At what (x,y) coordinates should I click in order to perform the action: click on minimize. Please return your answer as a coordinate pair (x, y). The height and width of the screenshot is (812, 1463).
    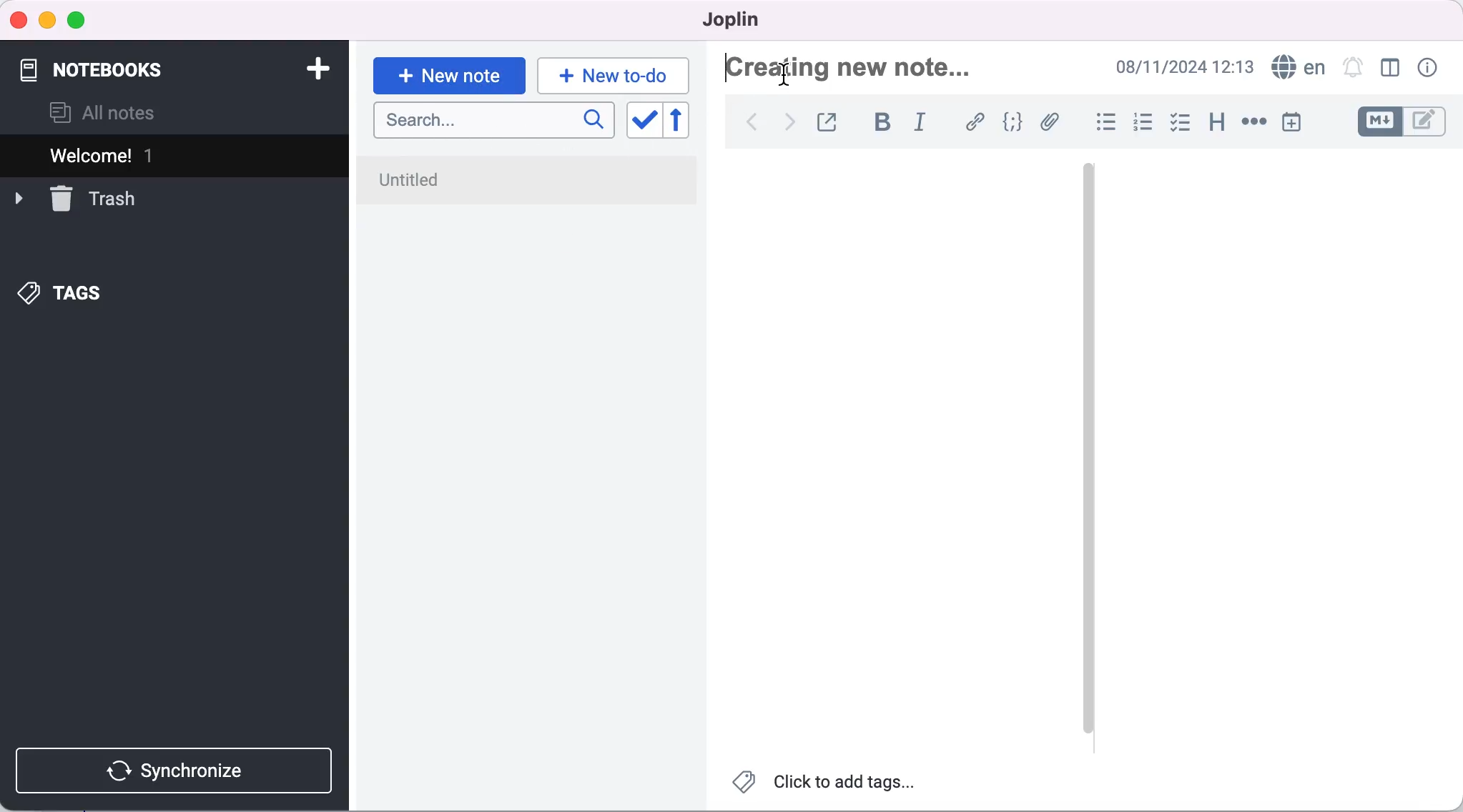
    Looking at the image, I should click on (46, 21).